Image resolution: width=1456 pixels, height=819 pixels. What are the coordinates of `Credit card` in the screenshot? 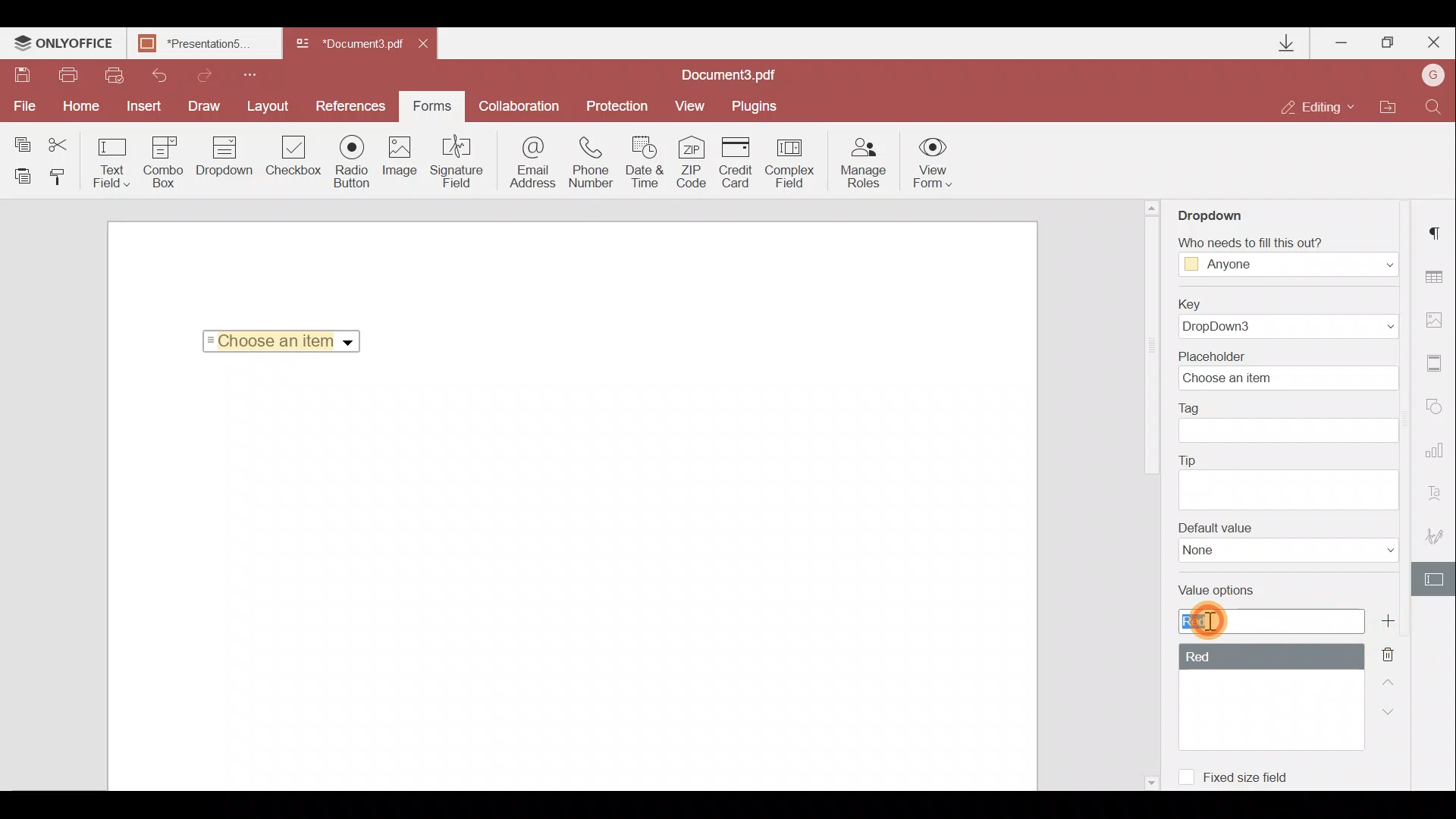 It's located at (738, 161).